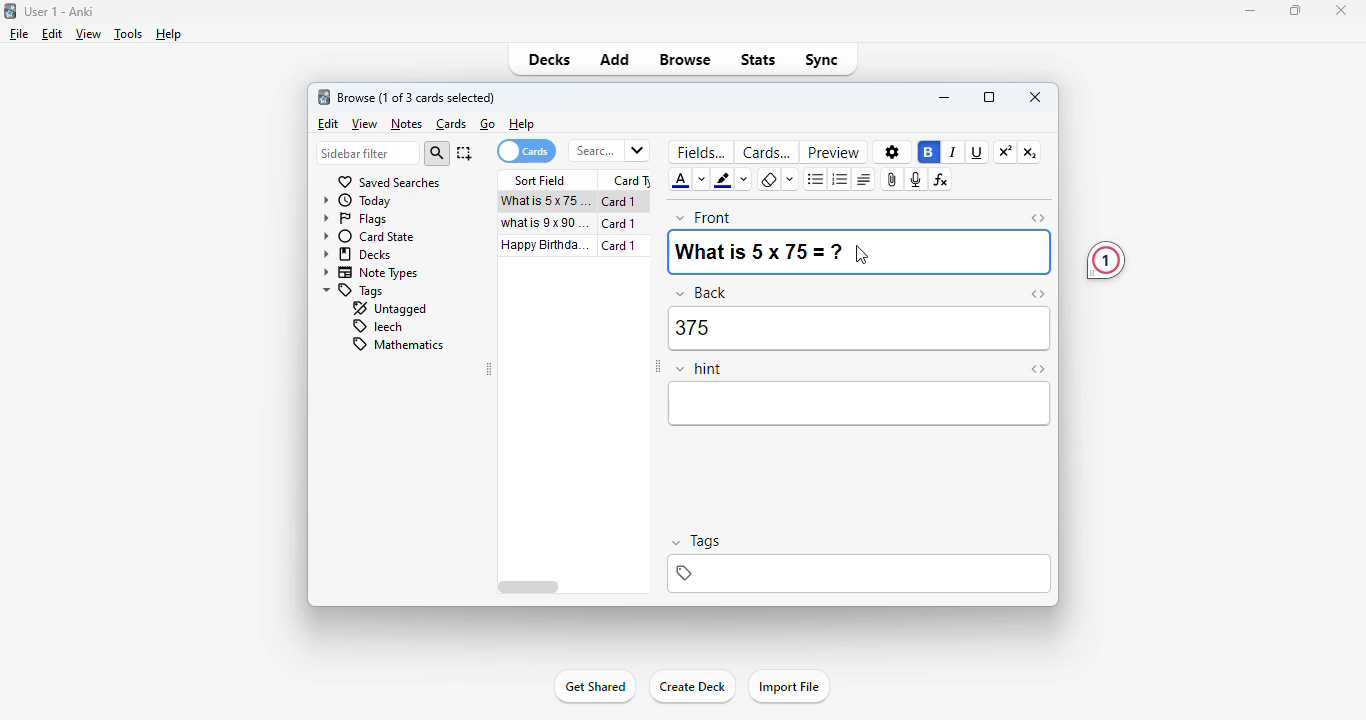 Image resolution: width=1366 pixels, height=720 pixels. Describe the element at coordinates (839, 179) in the screenshot. I see `ordered list` at that location.